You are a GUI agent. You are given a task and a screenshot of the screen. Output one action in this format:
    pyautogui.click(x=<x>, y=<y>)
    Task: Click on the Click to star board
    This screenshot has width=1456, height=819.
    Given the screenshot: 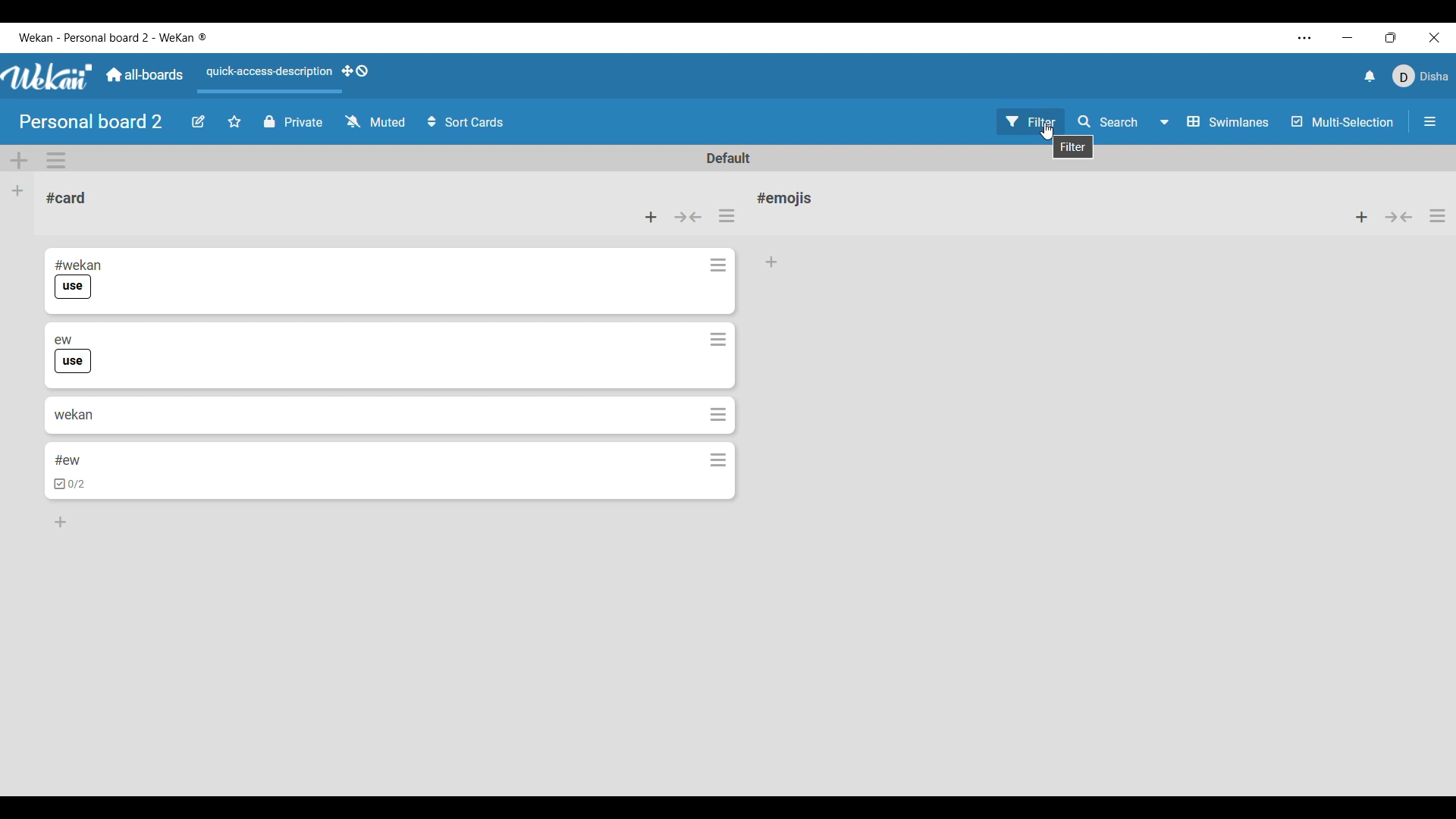 What is the action you would take?
    pyautogui.click(x=234, y=122)
    